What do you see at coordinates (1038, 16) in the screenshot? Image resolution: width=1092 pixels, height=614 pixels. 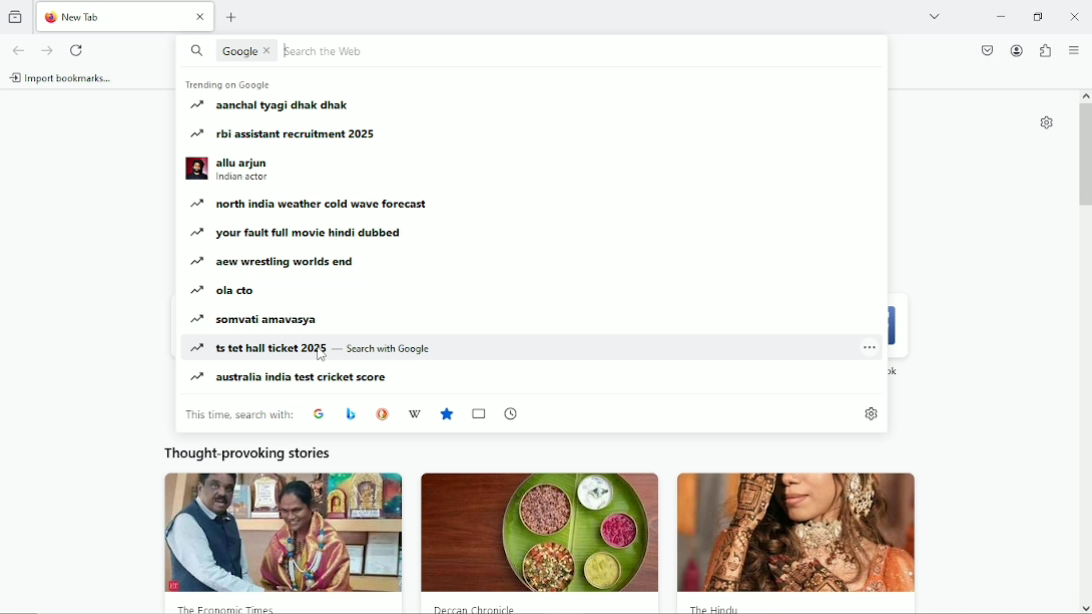 I see `restore down` at bounding box center [1038, 16].